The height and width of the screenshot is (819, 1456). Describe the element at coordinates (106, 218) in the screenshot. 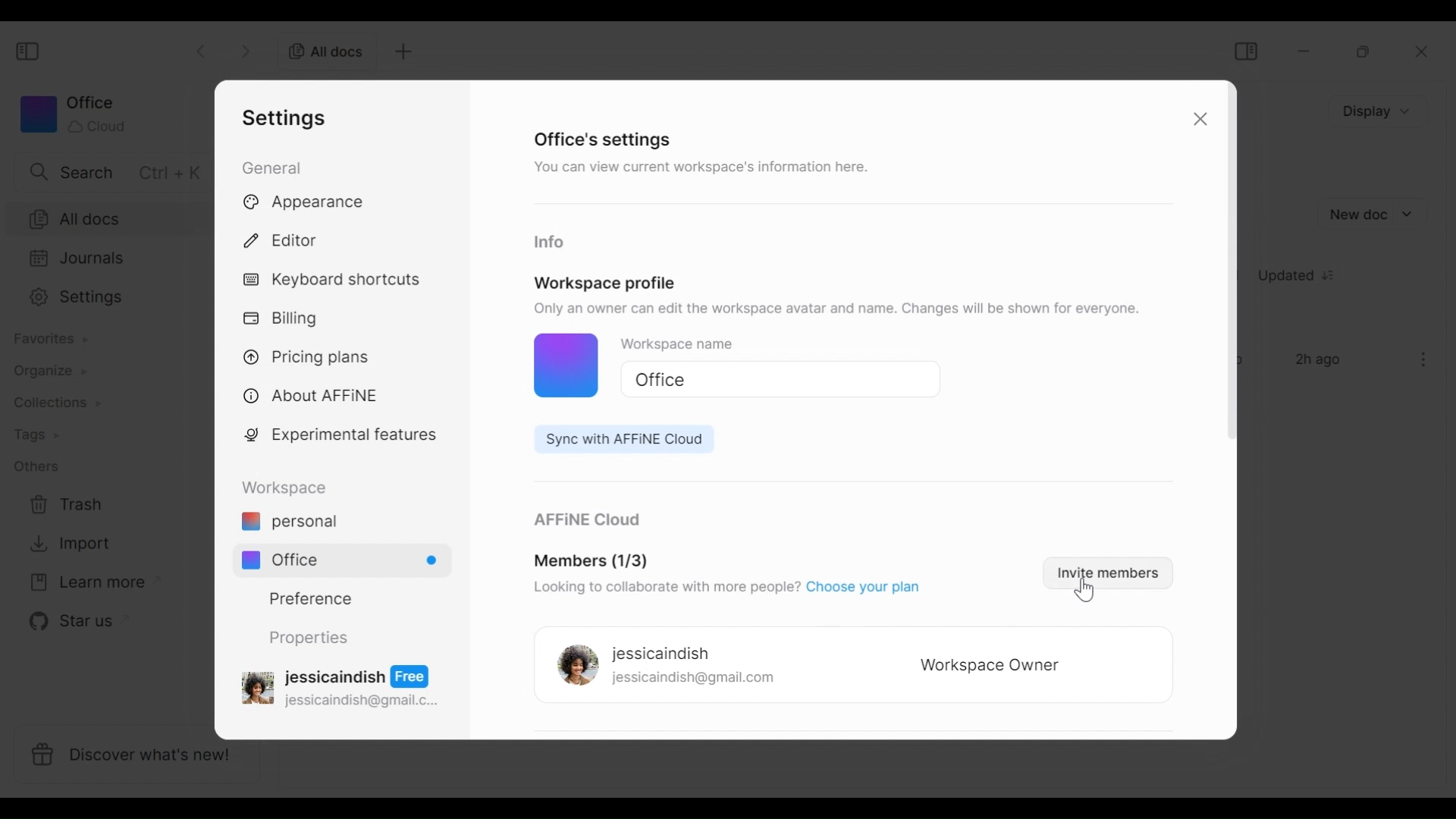

I see `All documents` at that location.